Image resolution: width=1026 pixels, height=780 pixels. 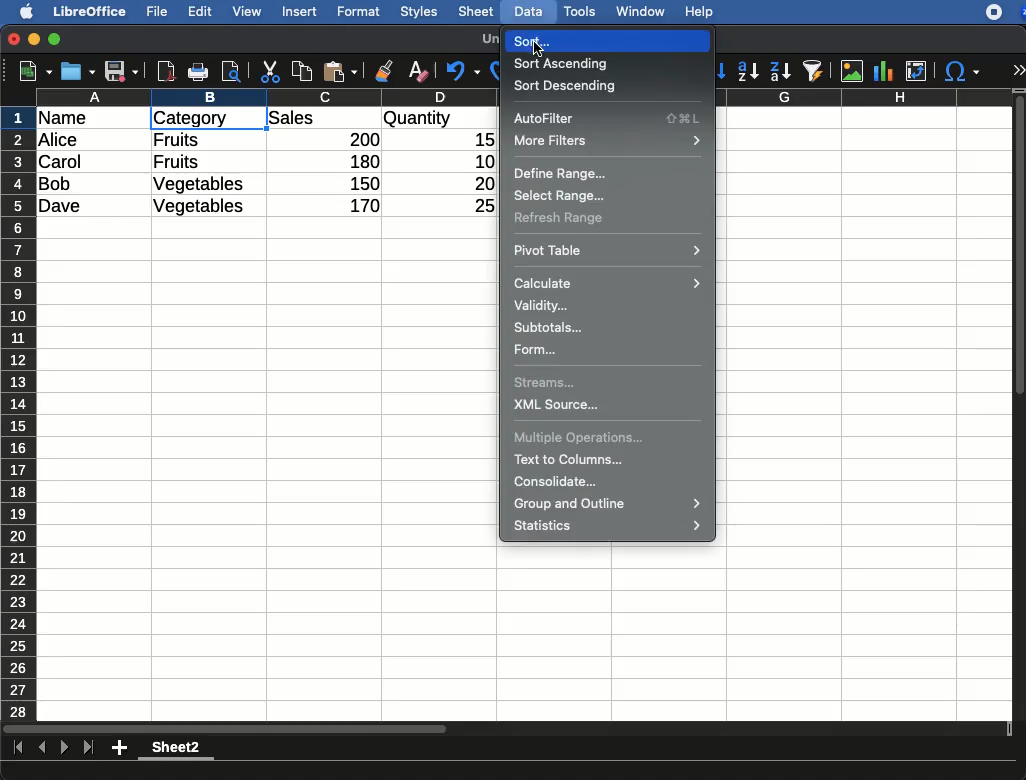 What do you see at coordinates (20, 413) in the screenshot?
I see `row` at bounding box center [20, 413].